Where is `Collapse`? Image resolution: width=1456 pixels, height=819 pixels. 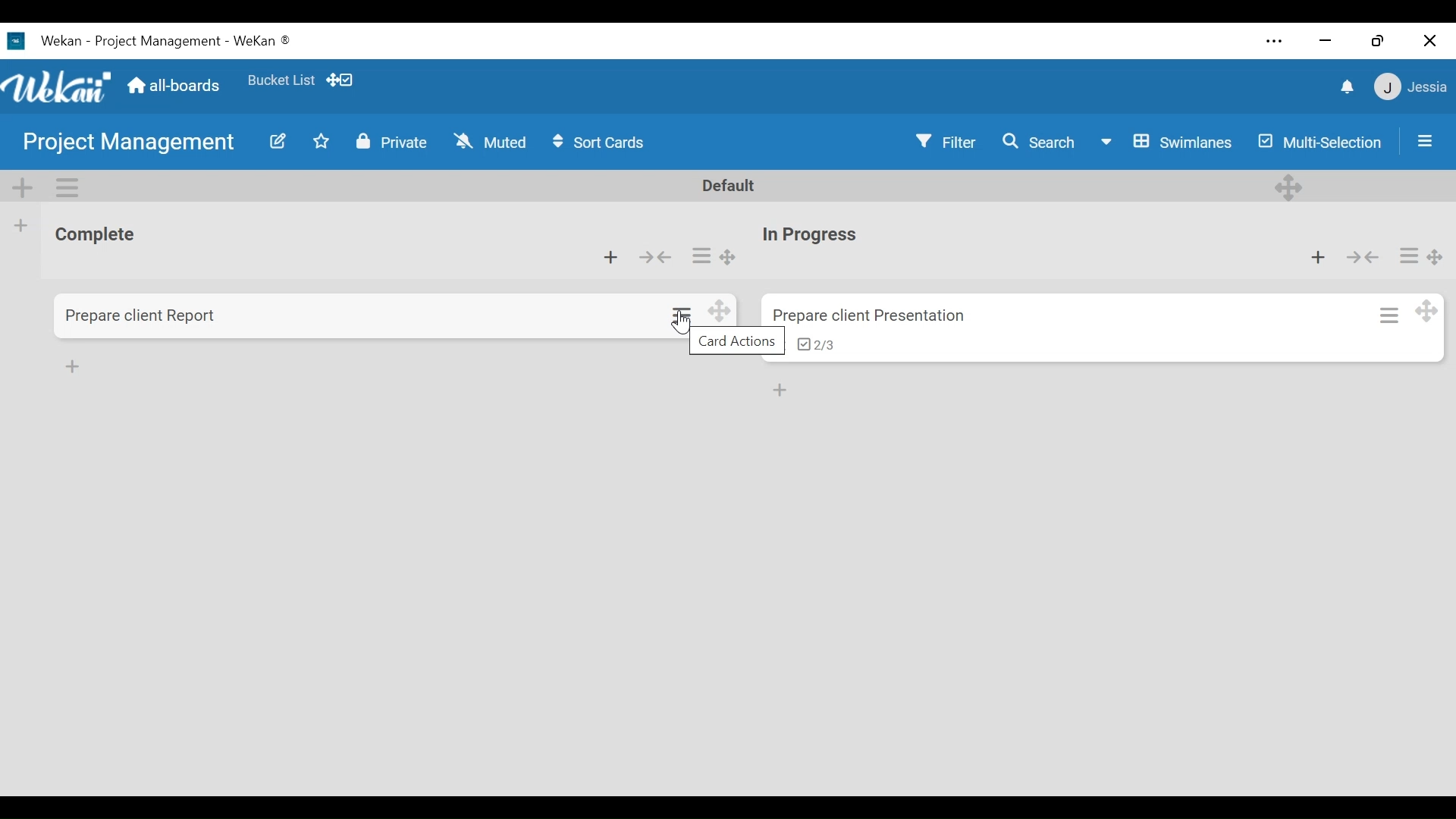 Collapse is located at coordinates (1363, 257).